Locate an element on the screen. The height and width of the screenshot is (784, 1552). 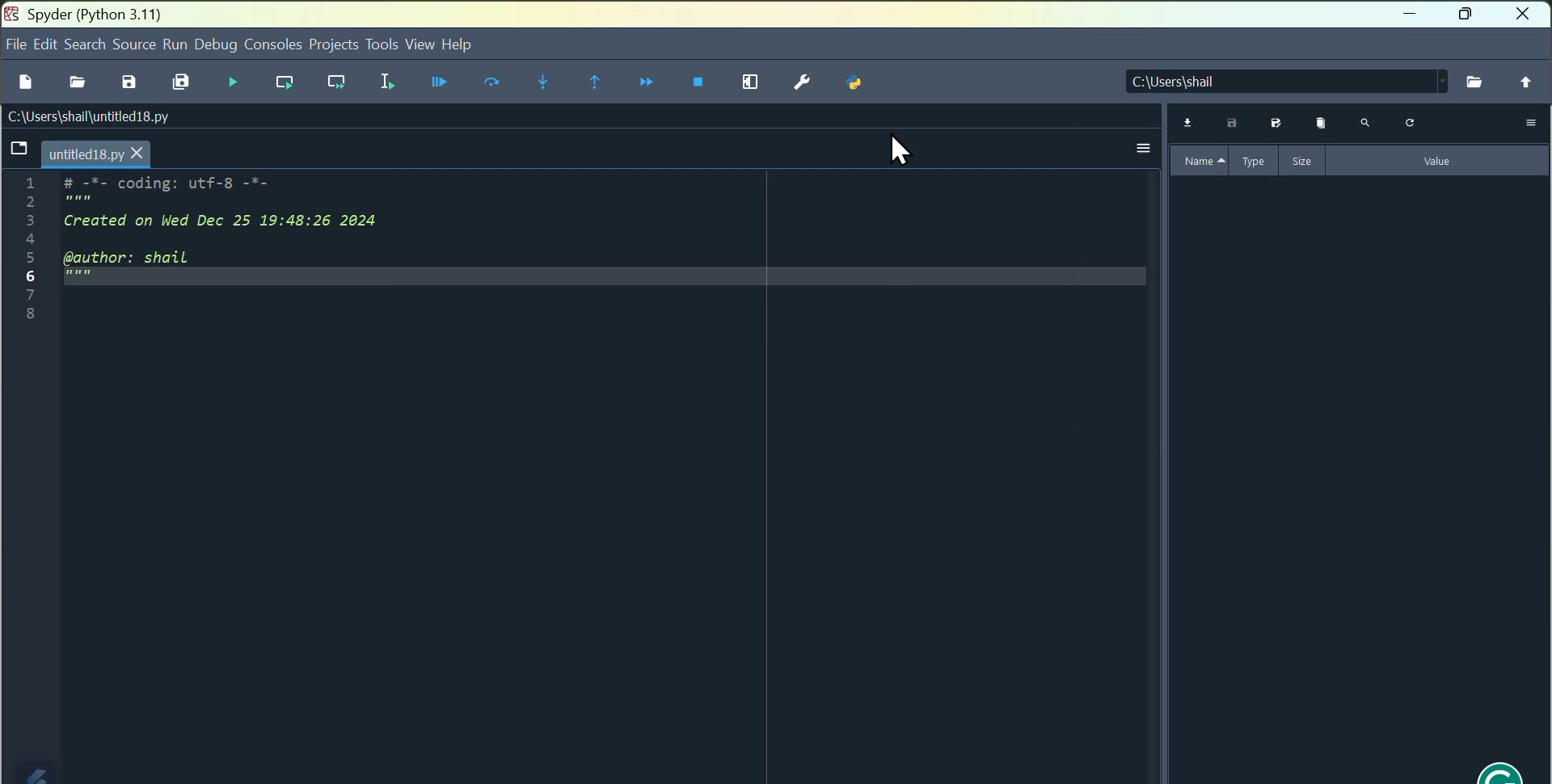
View is located at coordinates (422, 46).